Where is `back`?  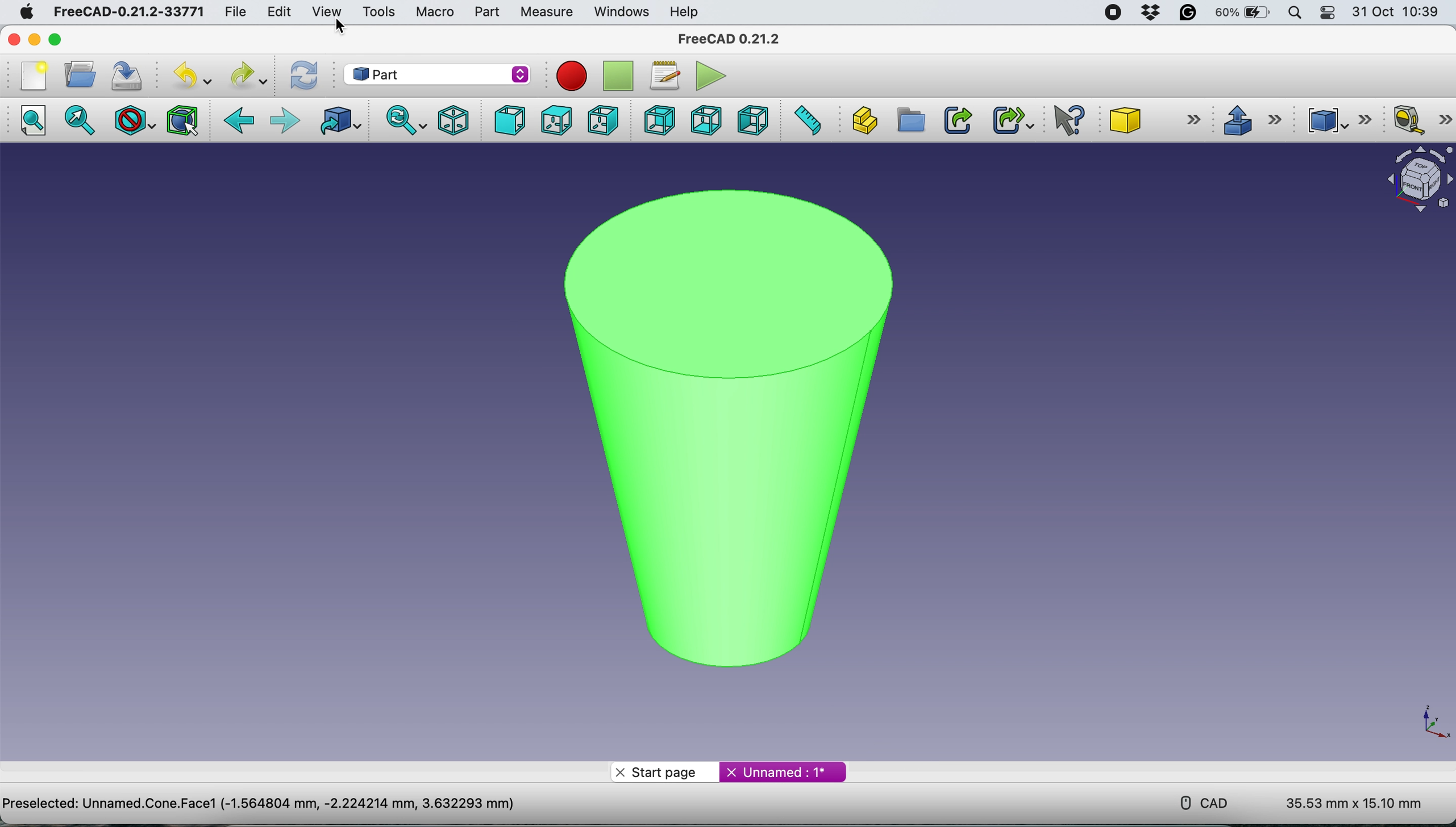
back is located at coordinates (240, 121).